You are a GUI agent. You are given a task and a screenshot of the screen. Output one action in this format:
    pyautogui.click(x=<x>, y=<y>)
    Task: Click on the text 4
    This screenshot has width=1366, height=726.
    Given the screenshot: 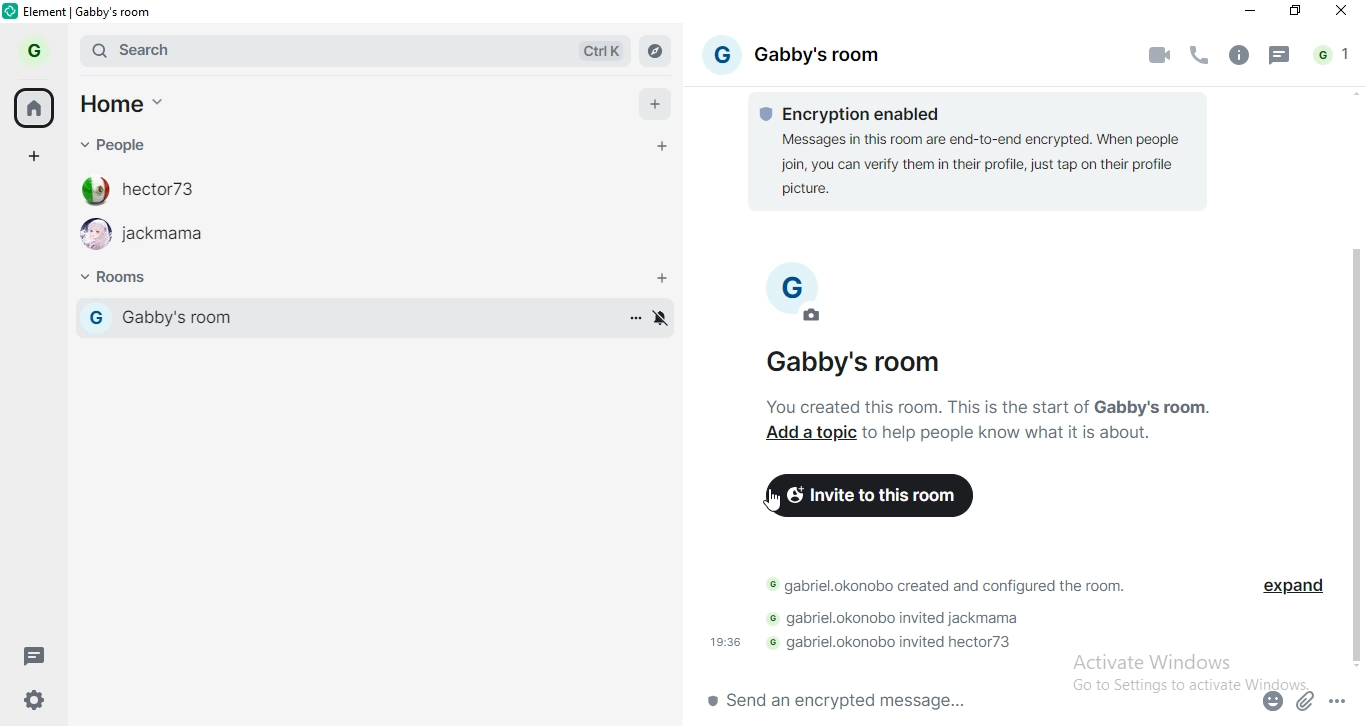 What is the action you would take?
    pyautogui.click(x=902, y=656)
    